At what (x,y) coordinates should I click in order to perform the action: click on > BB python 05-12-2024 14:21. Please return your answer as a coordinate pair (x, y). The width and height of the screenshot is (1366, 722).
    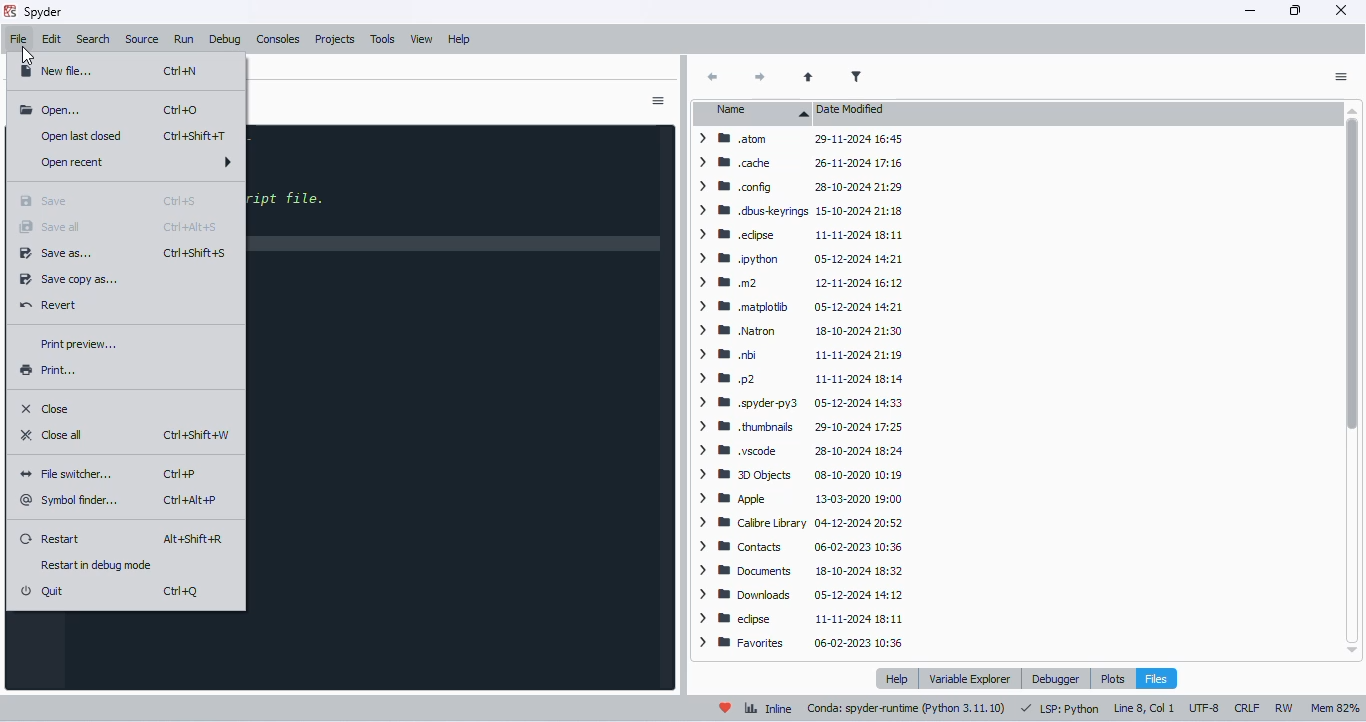
    Looking at the image, I should click on (796, 258).